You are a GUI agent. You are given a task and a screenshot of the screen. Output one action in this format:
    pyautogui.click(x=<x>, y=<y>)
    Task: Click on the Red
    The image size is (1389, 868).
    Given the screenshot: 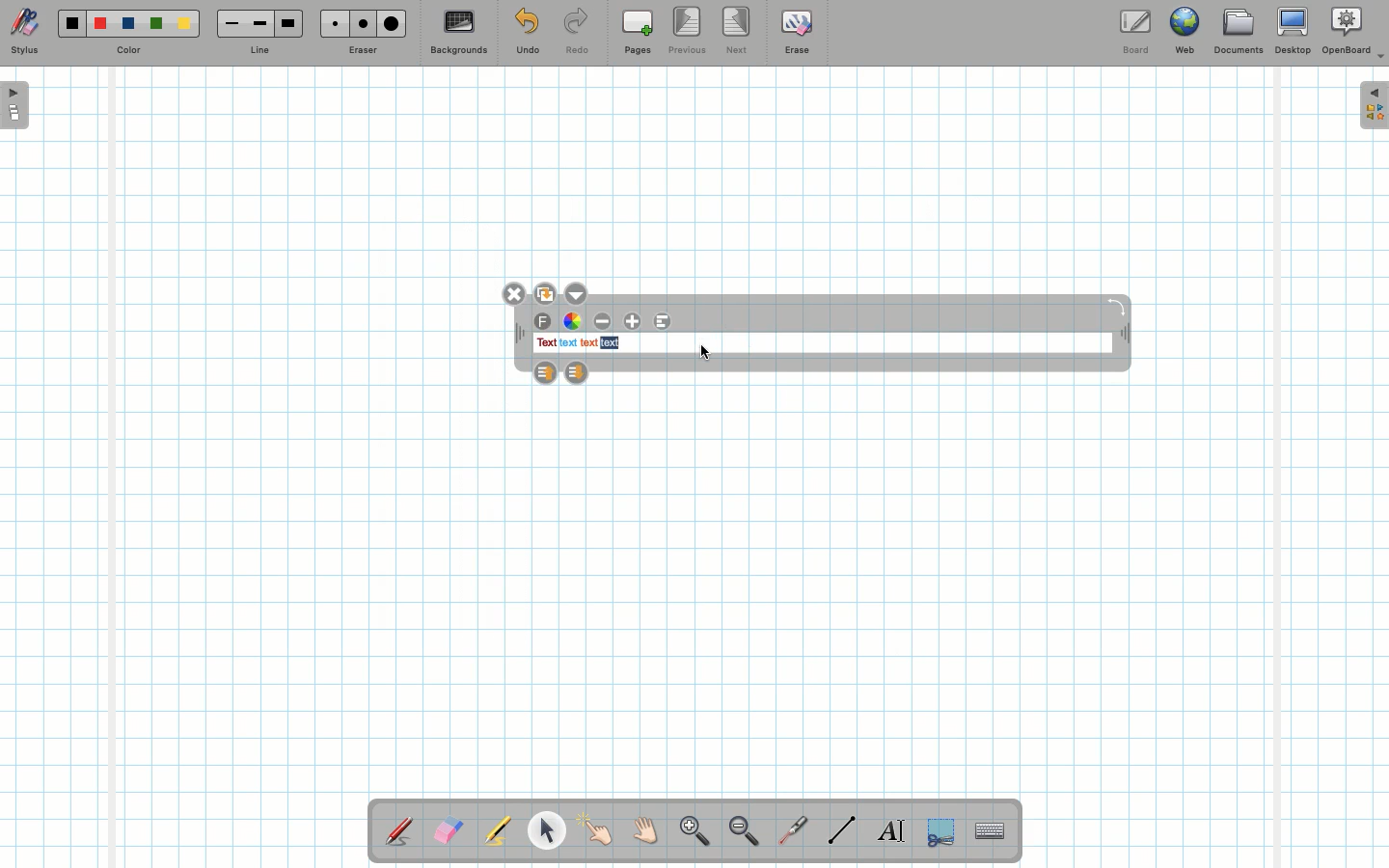 What is the action you would take?
    pyautogui.click(x=101, y=24)
    